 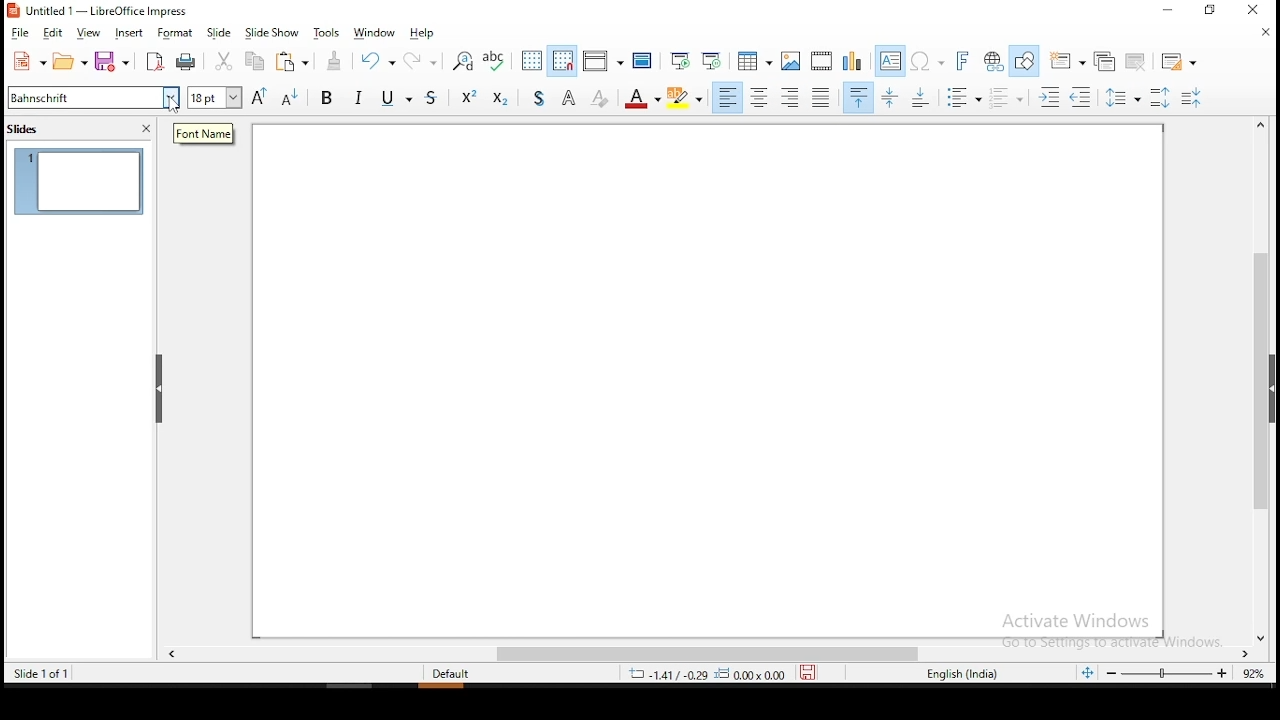 What do you see at coordinates (727, 98) in the screenshot?
I see `align left` at bounding box center [727, 98].